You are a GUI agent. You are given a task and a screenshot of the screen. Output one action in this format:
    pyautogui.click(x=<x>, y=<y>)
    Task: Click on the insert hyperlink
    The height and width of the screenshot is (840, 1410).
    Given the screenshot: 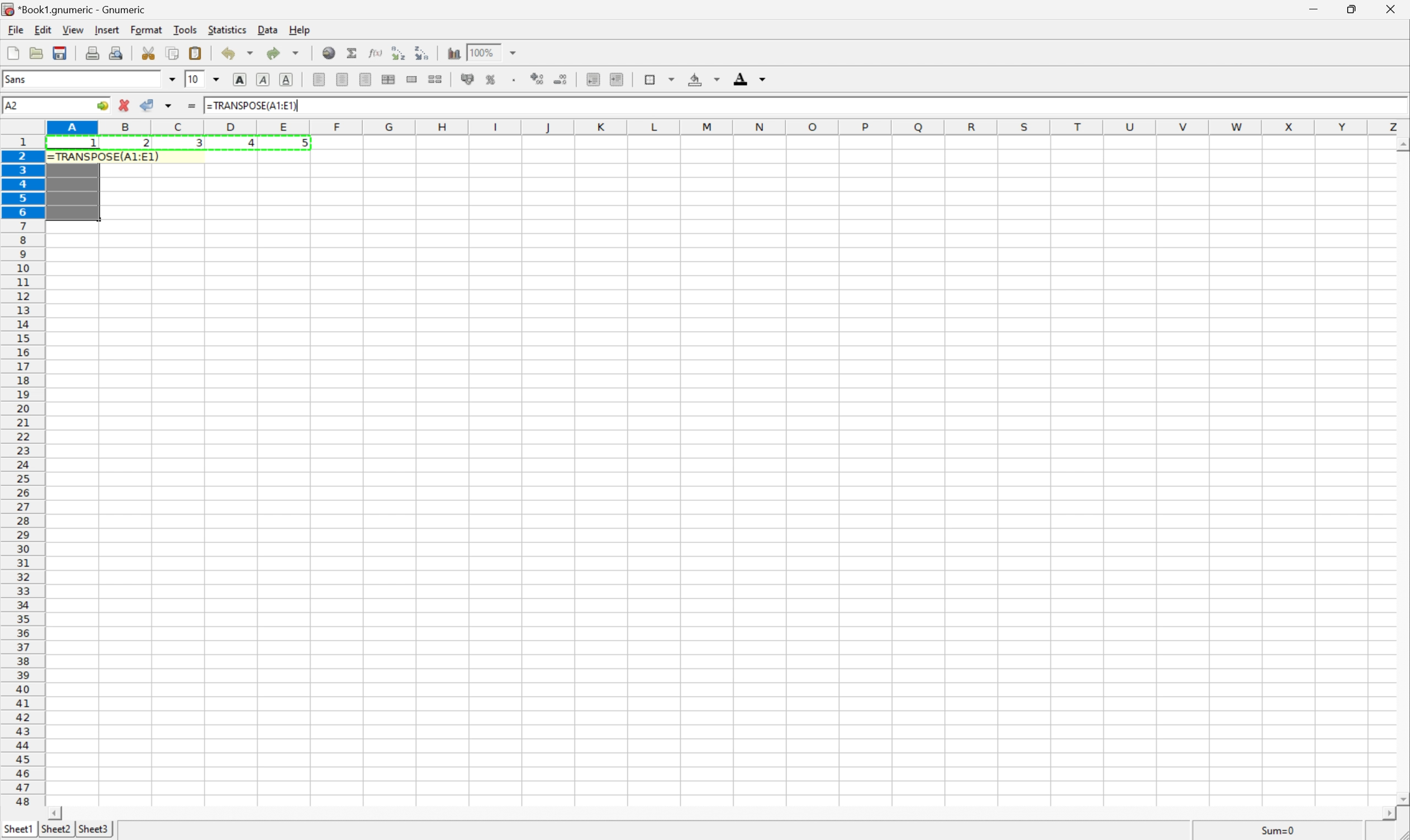 What is the action you would take?
    pyautogui.click(x=329, y=52)
    